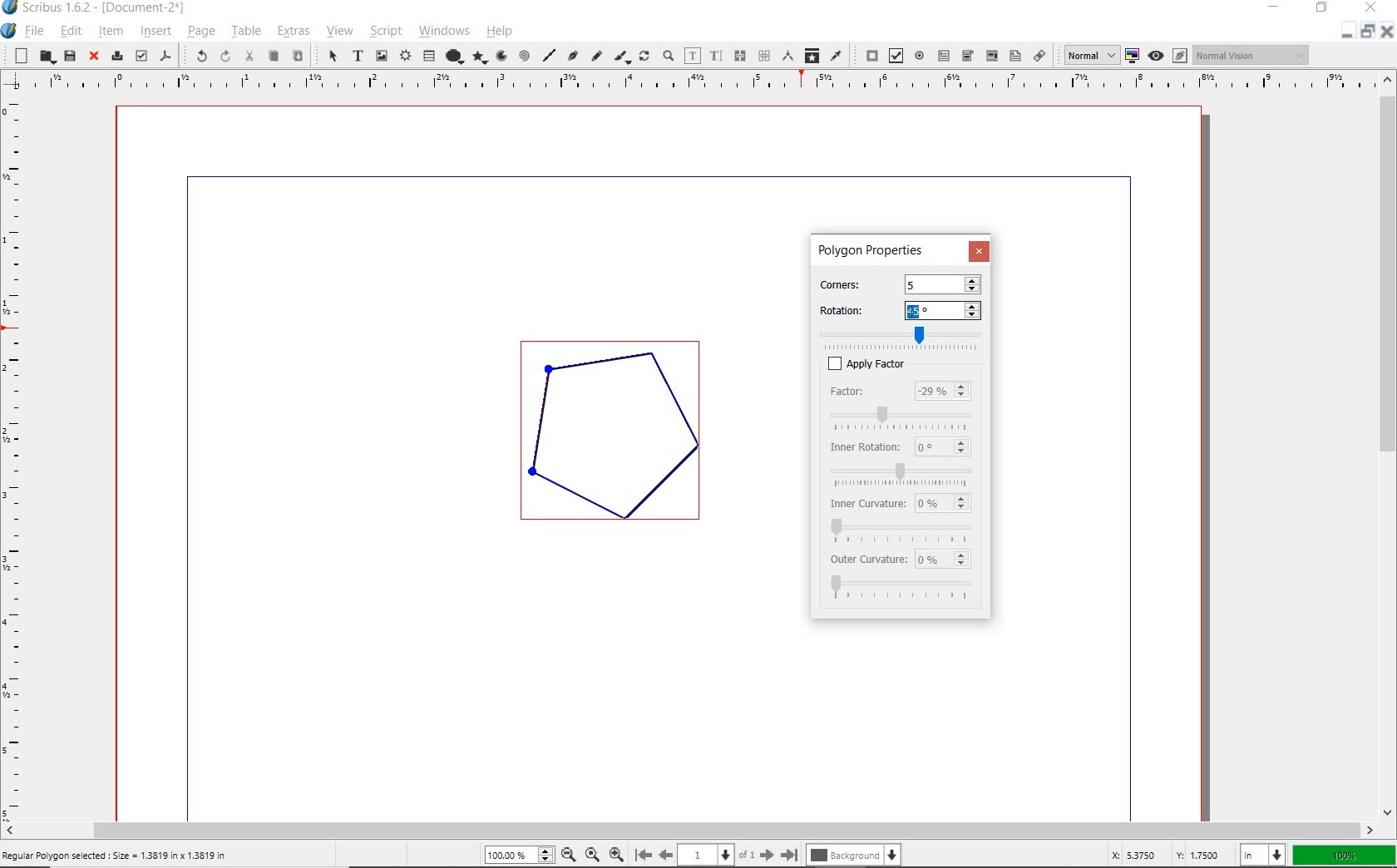  What do you see at coordinates (35, 31) in the screenshot?
I see `file` at bounding box center [35, 31].